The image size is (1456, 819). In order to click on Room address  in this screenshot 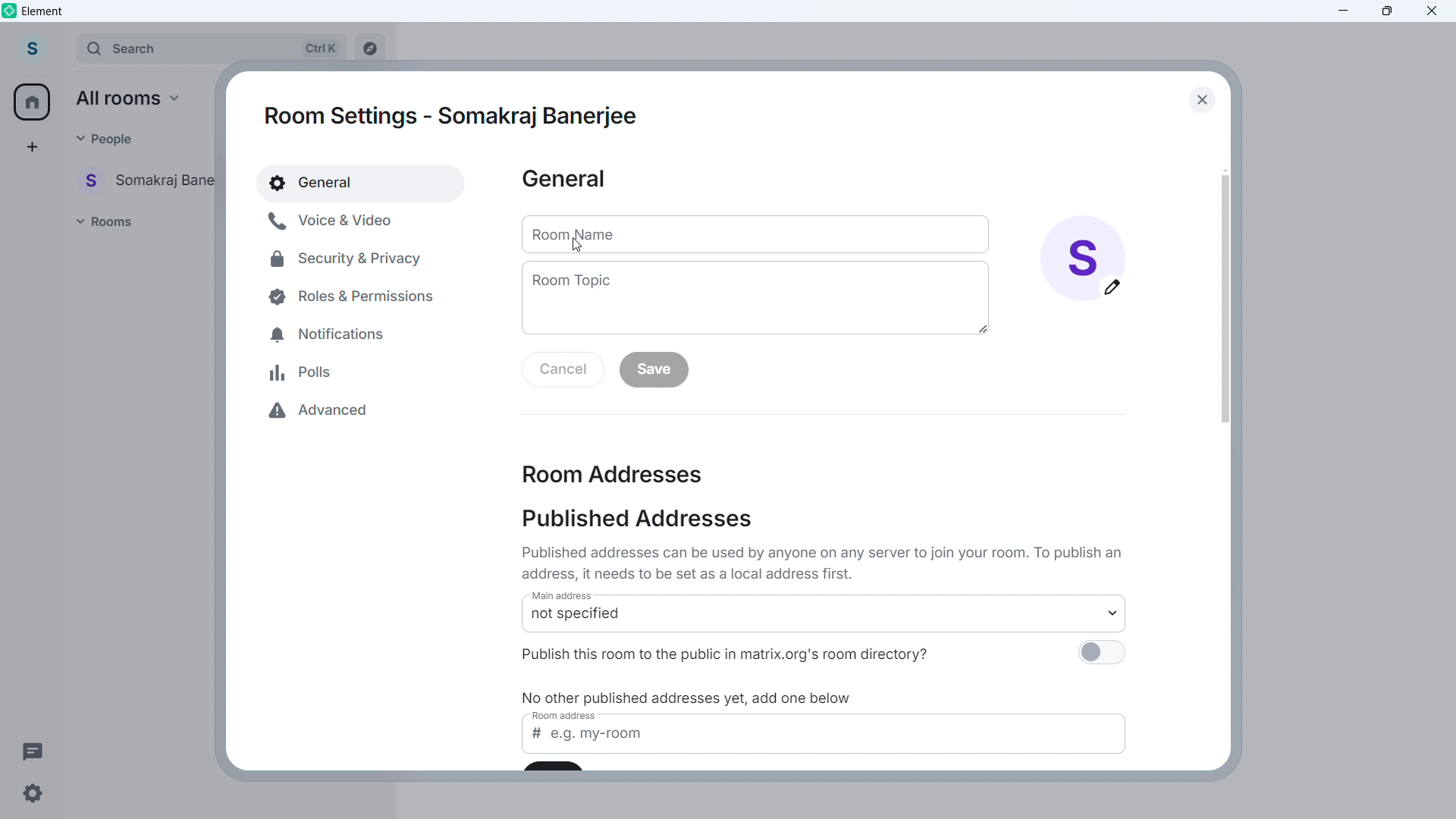, I will do `click(613, 473)`.